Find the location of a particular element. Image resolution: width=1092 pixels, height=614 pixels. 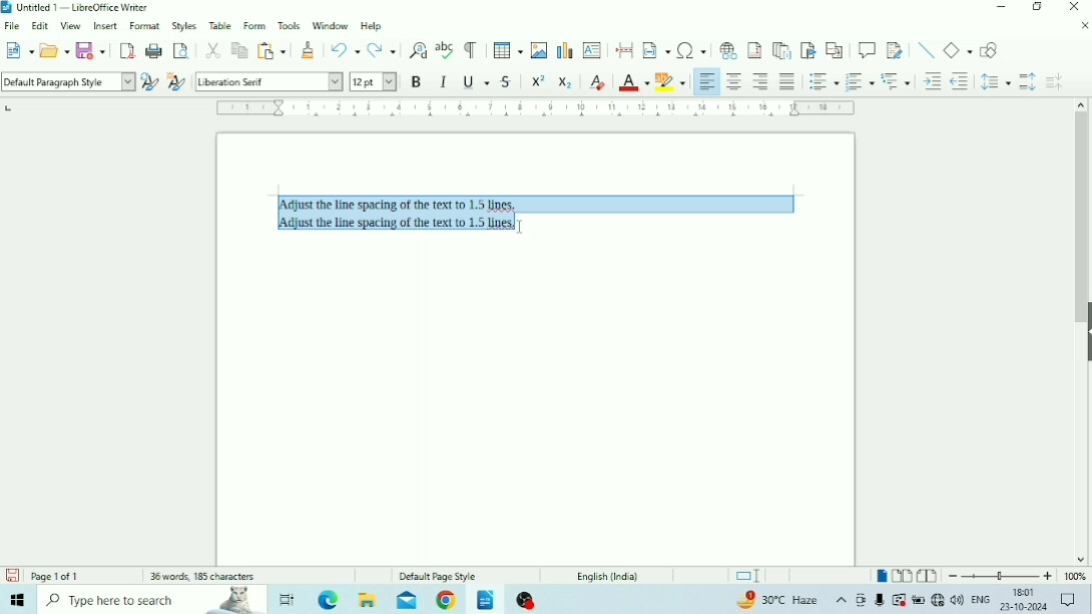

Time is located at coordinates (1023, 591).